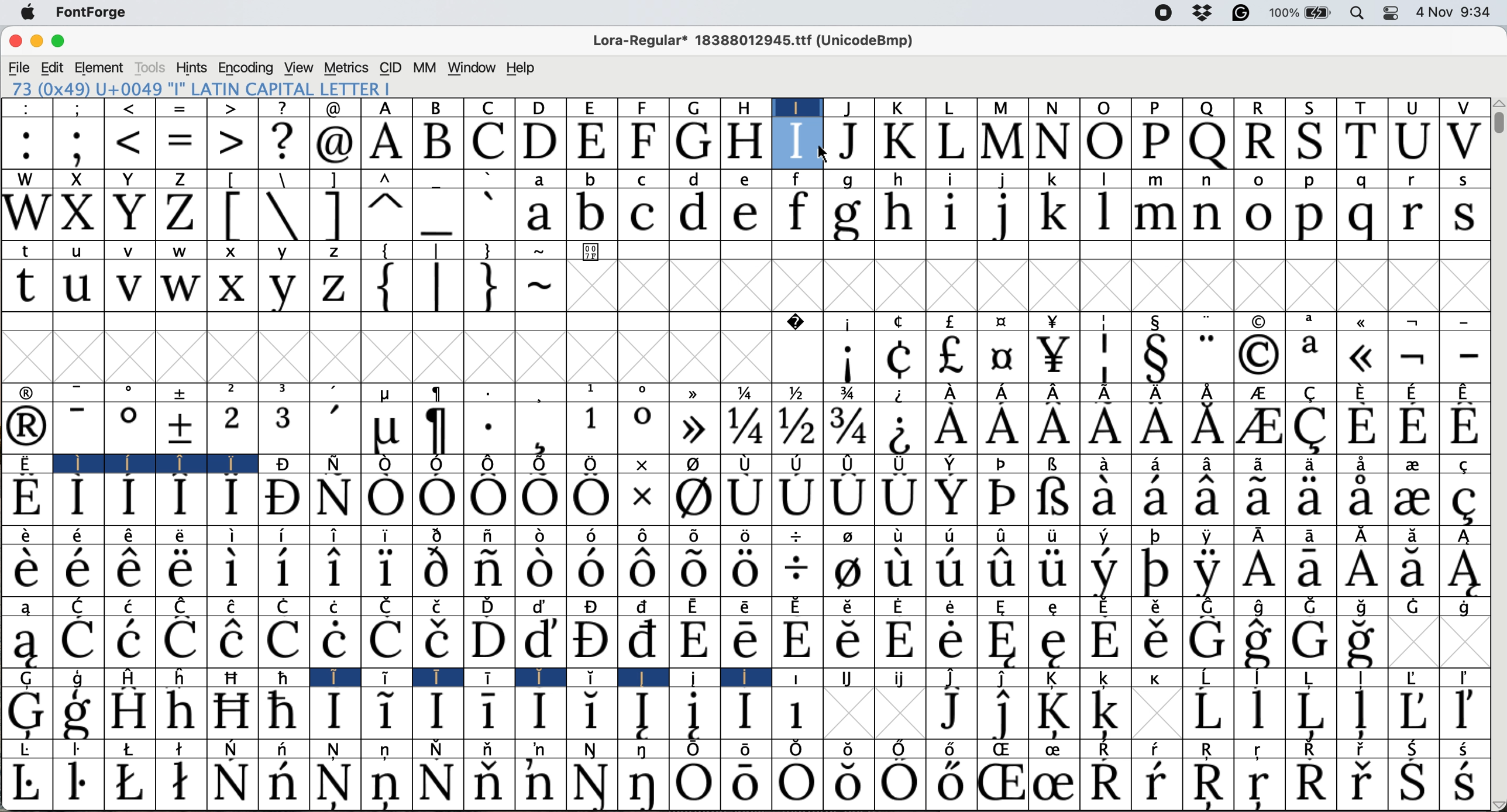 This screenshot has height=812, width=1507. What do you see at coordinates (78, 605) in the screenshot?
I see `C` at bounding box center [78, 605].